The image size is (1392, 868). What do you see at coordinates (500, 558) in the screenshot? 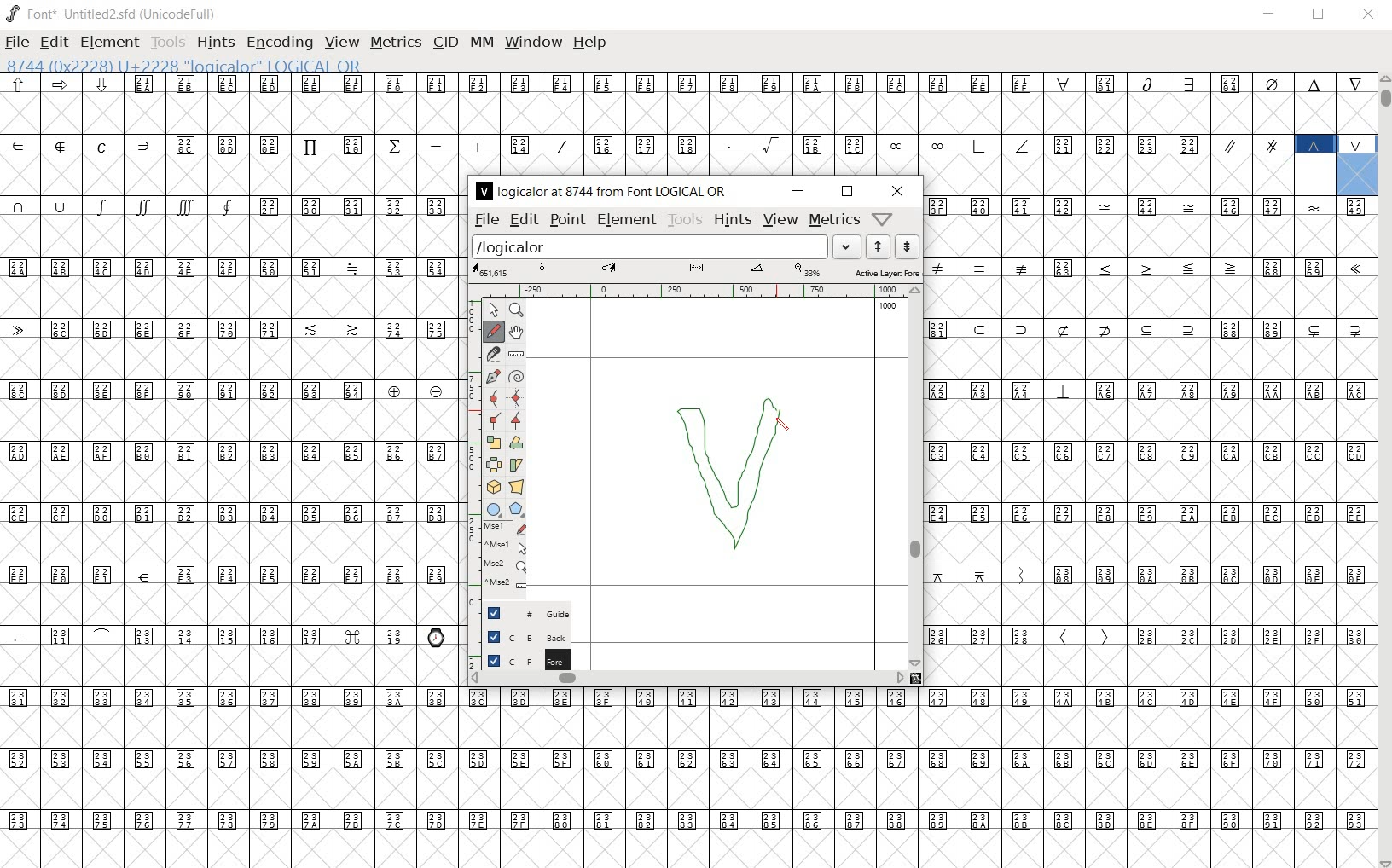
I see `mse1 mse1 mse2 mse2` at bounding box center [500, 558].